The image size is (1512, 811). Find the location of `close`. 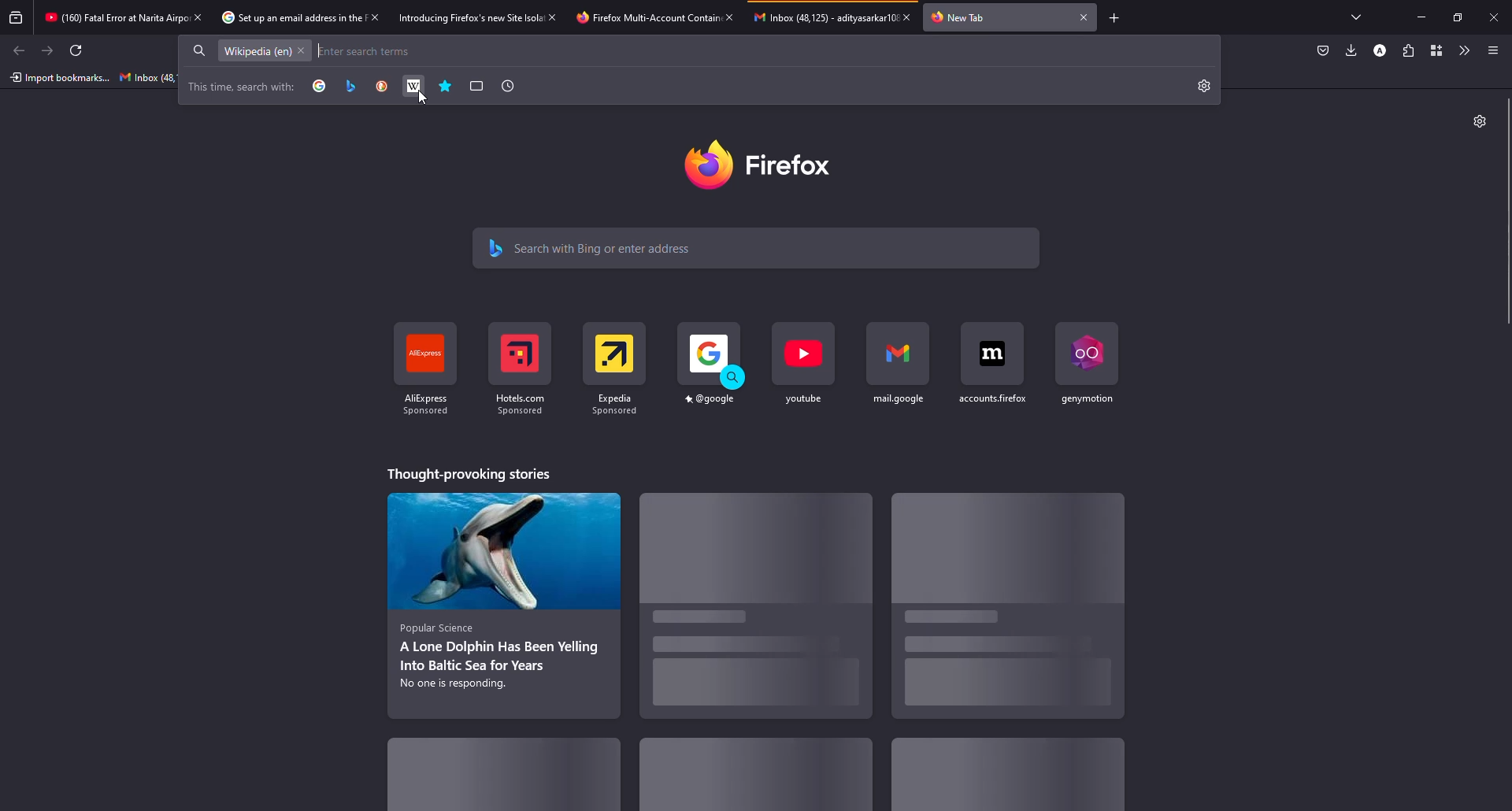

close is located at coordinates (907, 17).